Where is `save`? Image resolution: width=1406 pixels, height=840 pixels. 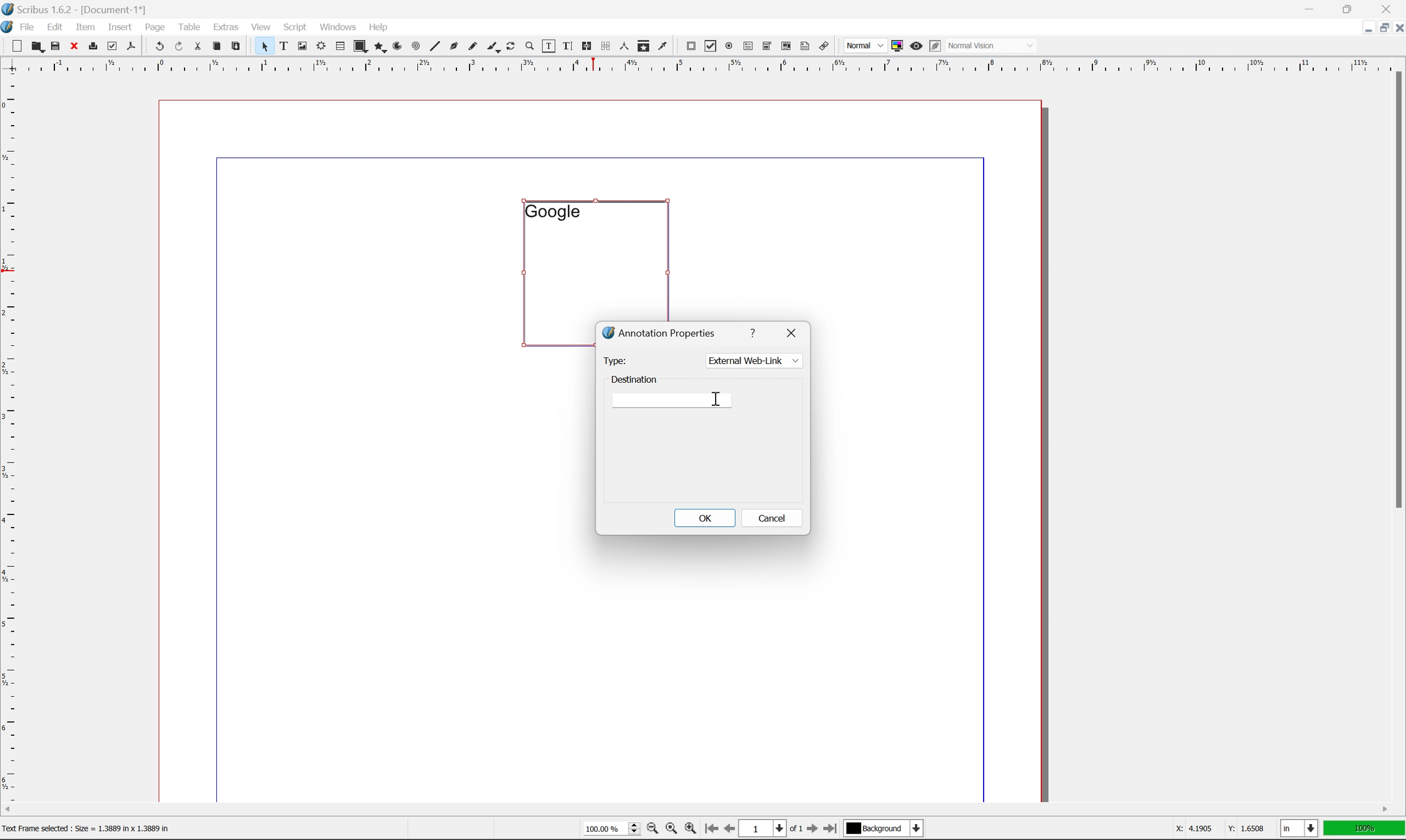
save is located at coordinates (55, 46).